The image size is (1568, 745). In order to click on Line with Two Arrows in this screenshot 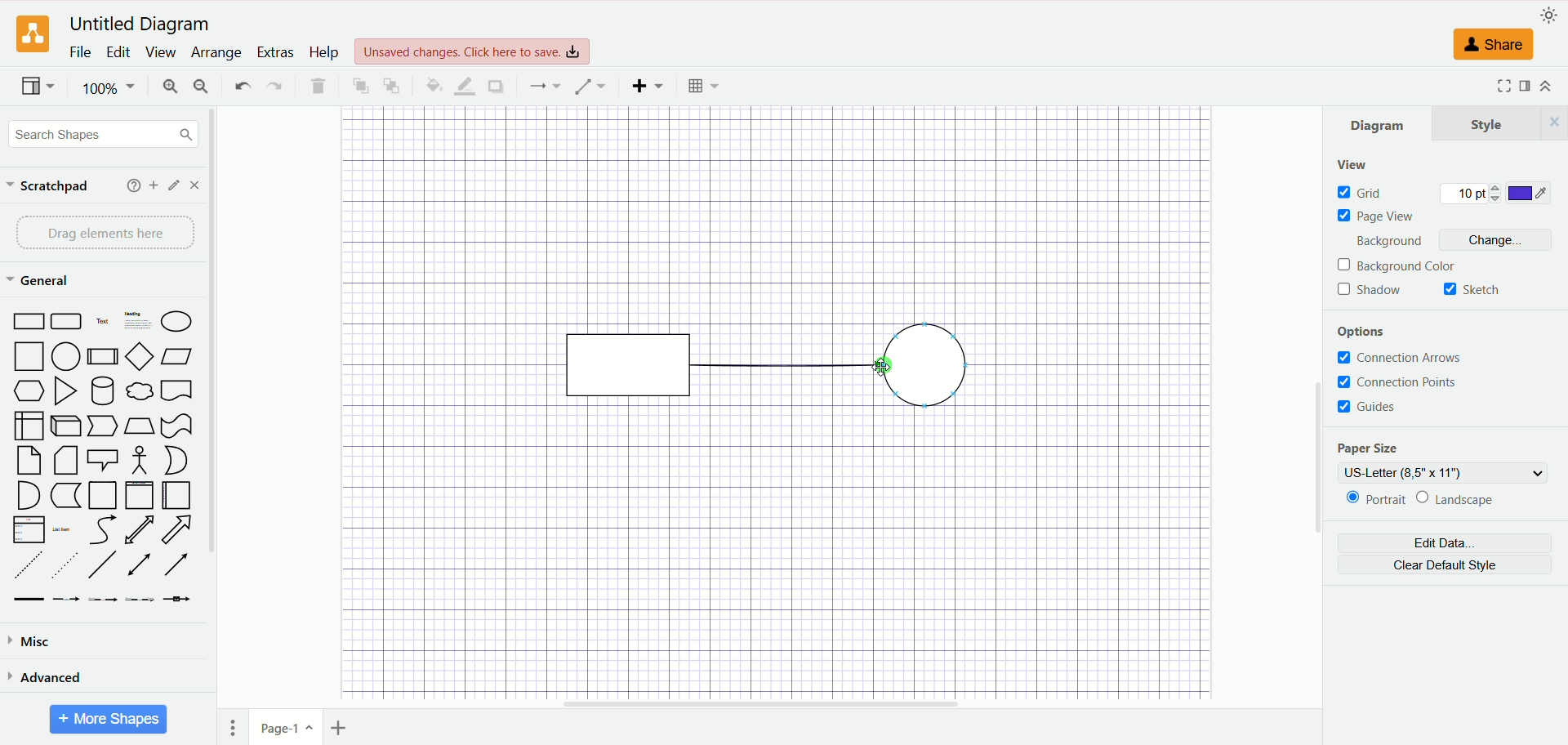, I will do `click(142, 565)`.